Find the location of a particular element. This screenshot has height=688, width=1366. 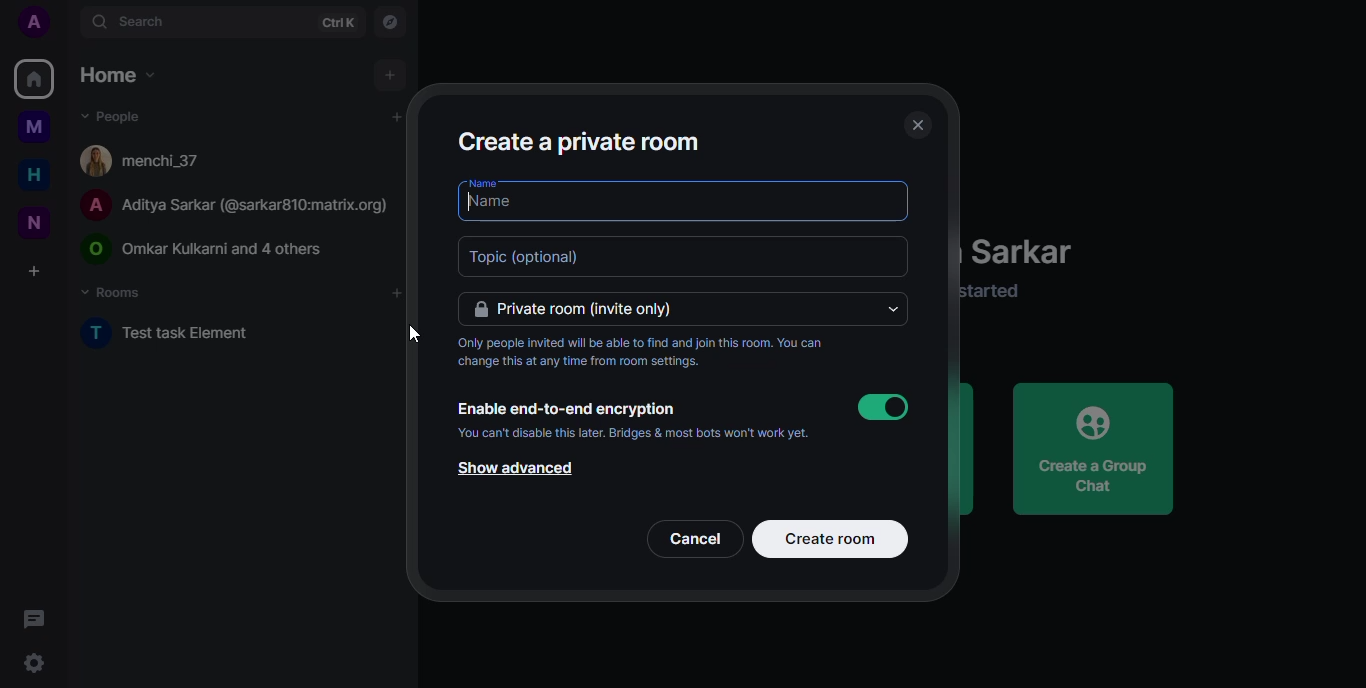

create a space is located at coordinates (34, 270).